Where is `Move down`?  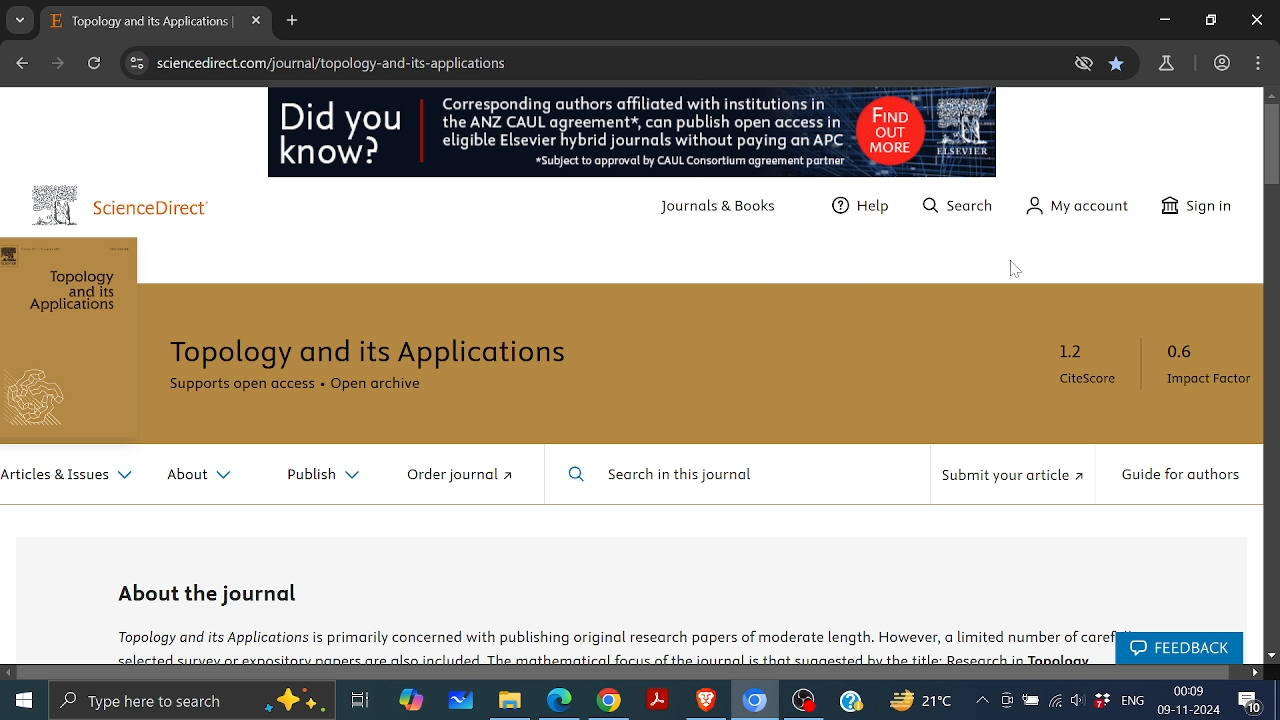 Move down is located at coordinates (1272, 656).